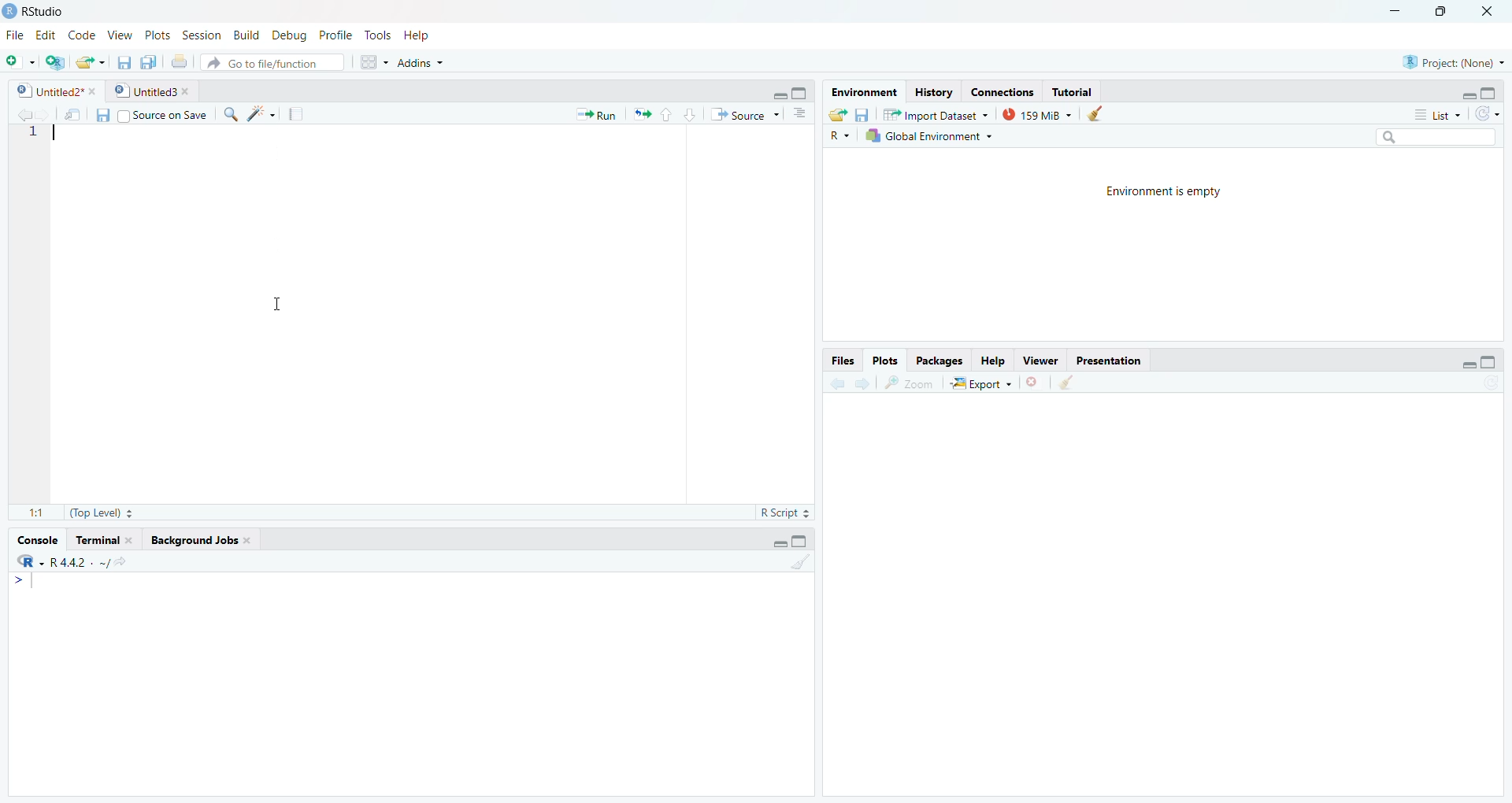 The width and height of the screenshot is (1512, 803). Describe the element at coordinates (665, 113) in the screenshot. I see `Up` at that location.